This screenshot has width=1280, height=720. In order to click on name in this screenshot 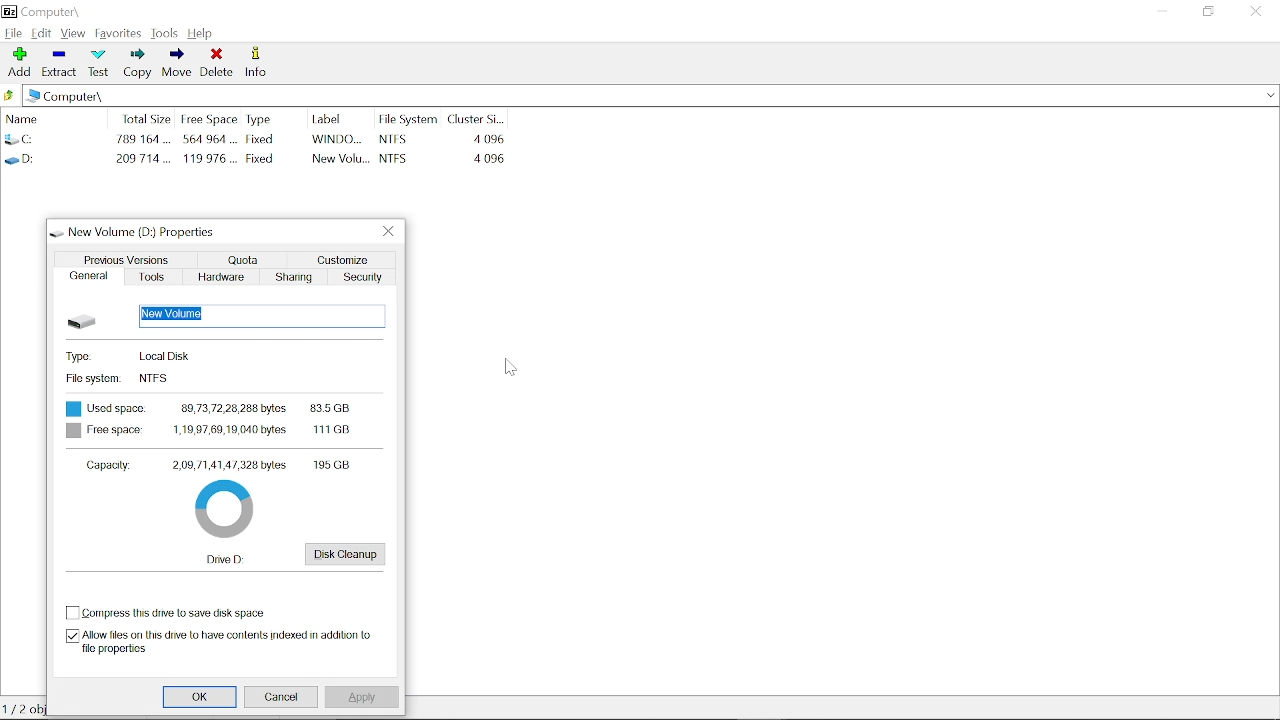, I will do `click(50, 117)`.